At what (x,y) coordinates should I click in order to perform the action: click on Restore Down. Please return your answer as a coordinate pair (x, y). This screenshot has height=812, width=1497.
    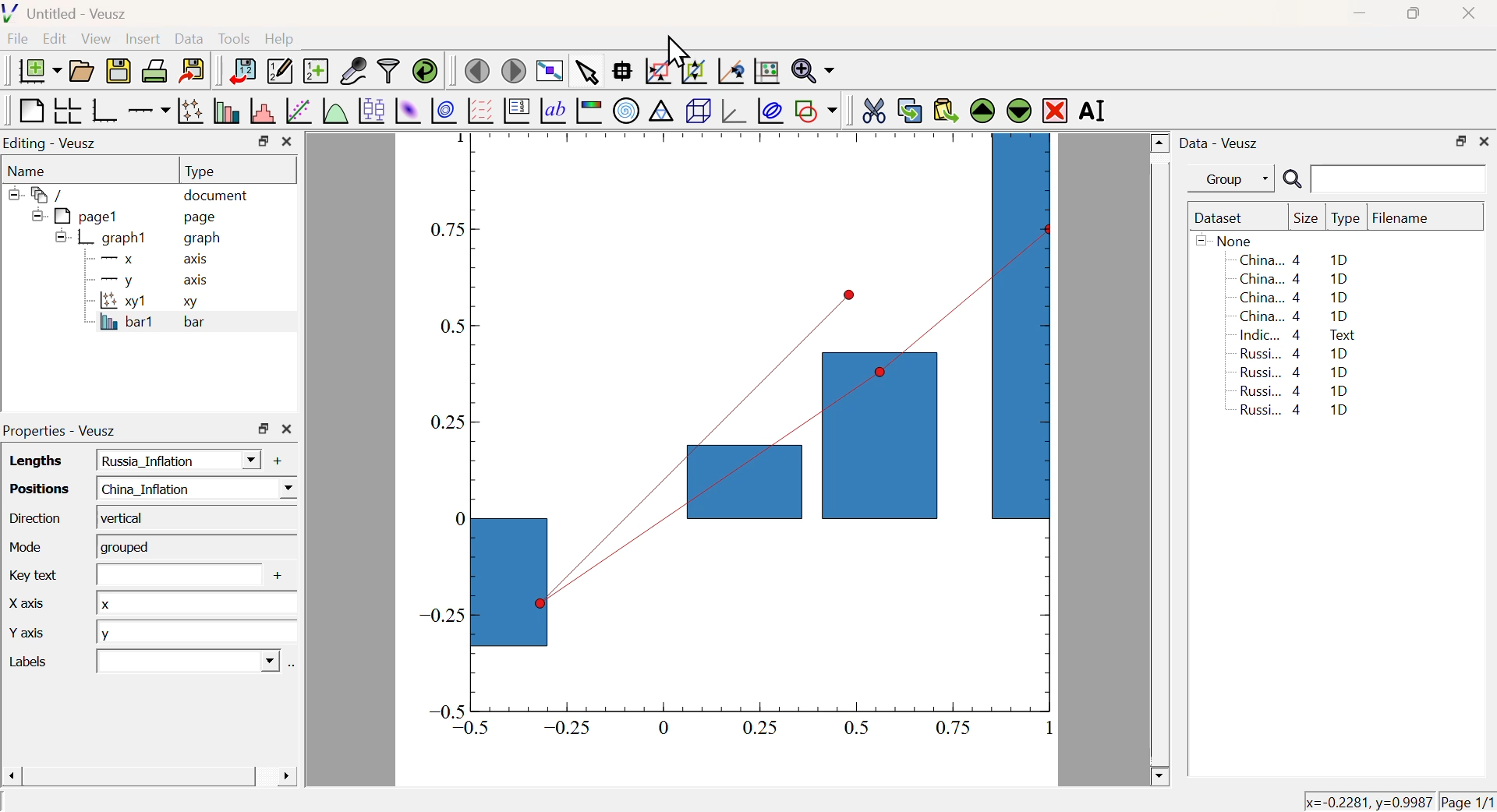
    Looking at the image, I should click on (263, 141).